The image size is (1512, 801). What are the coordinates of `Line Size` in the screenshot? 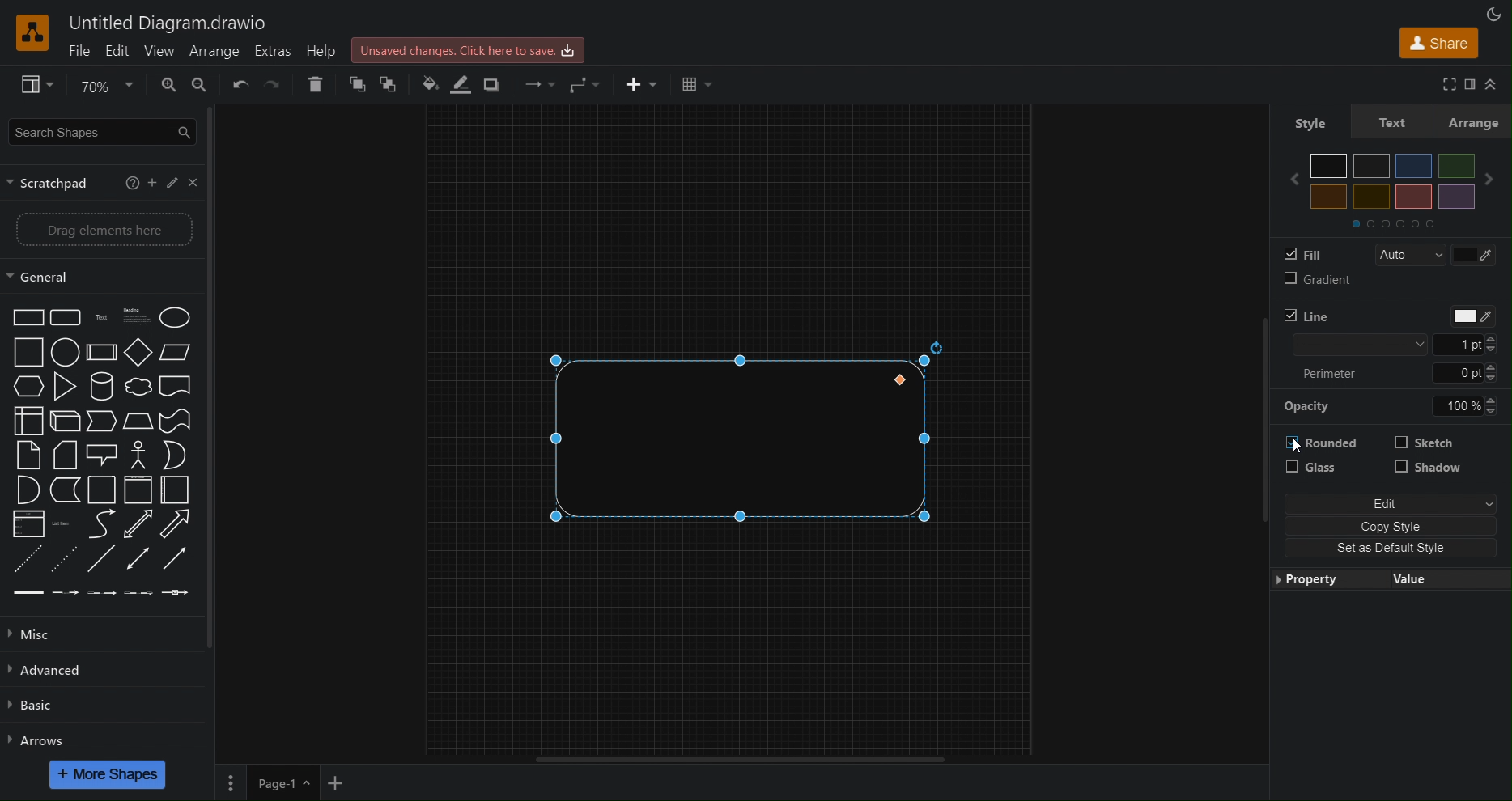 It's located at (1394, 345).